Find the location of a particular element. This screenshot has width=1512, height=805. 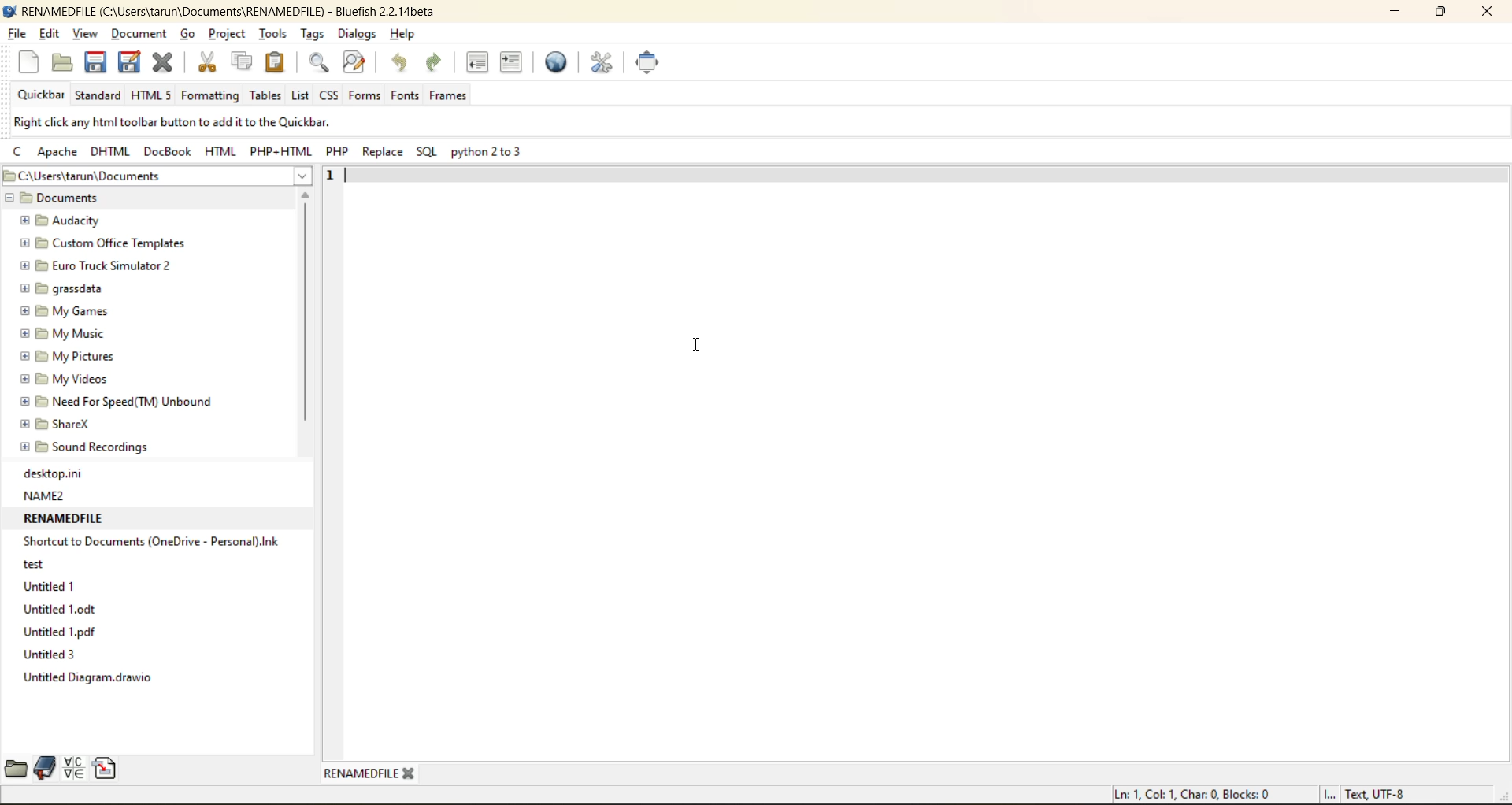

file location is located at coordinates (141, 176).